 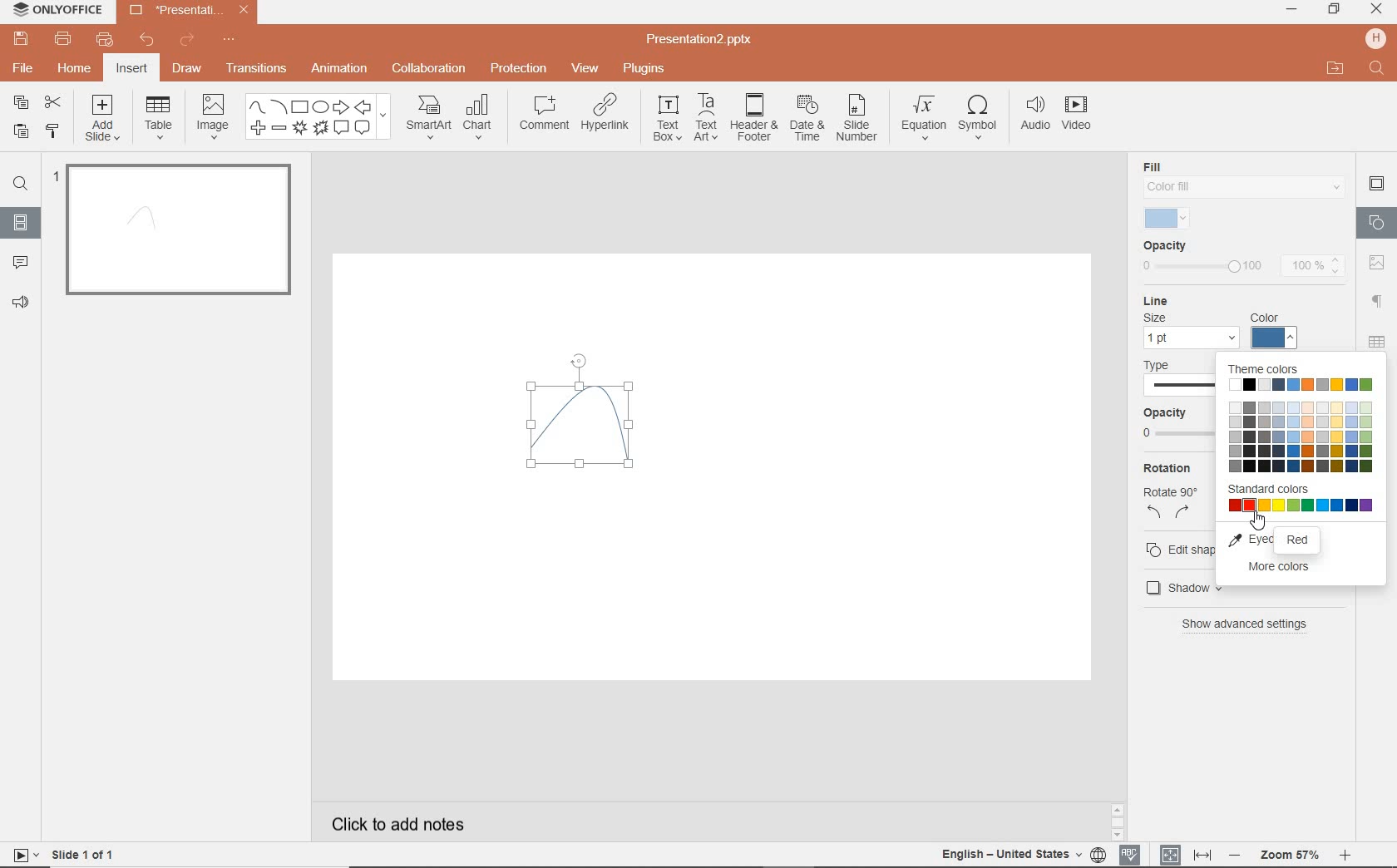 What do you see at coordinates (18, 261) in the screenshot?
I see `COMMENTS` at bounding box center [18, 261].